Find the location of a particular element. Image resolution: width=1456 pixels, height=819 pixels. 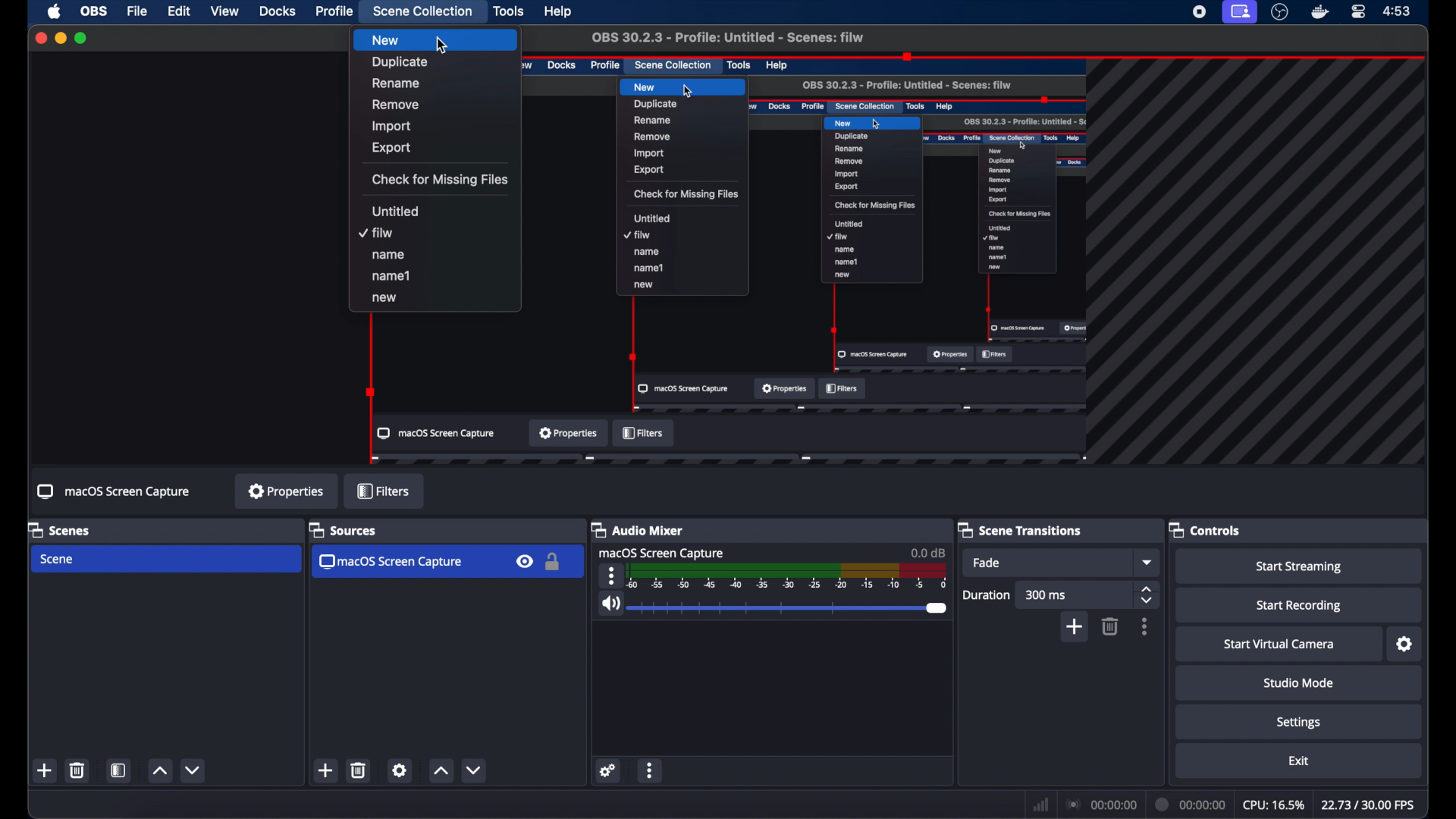

guidelines is located at coordinates (1262, 265).